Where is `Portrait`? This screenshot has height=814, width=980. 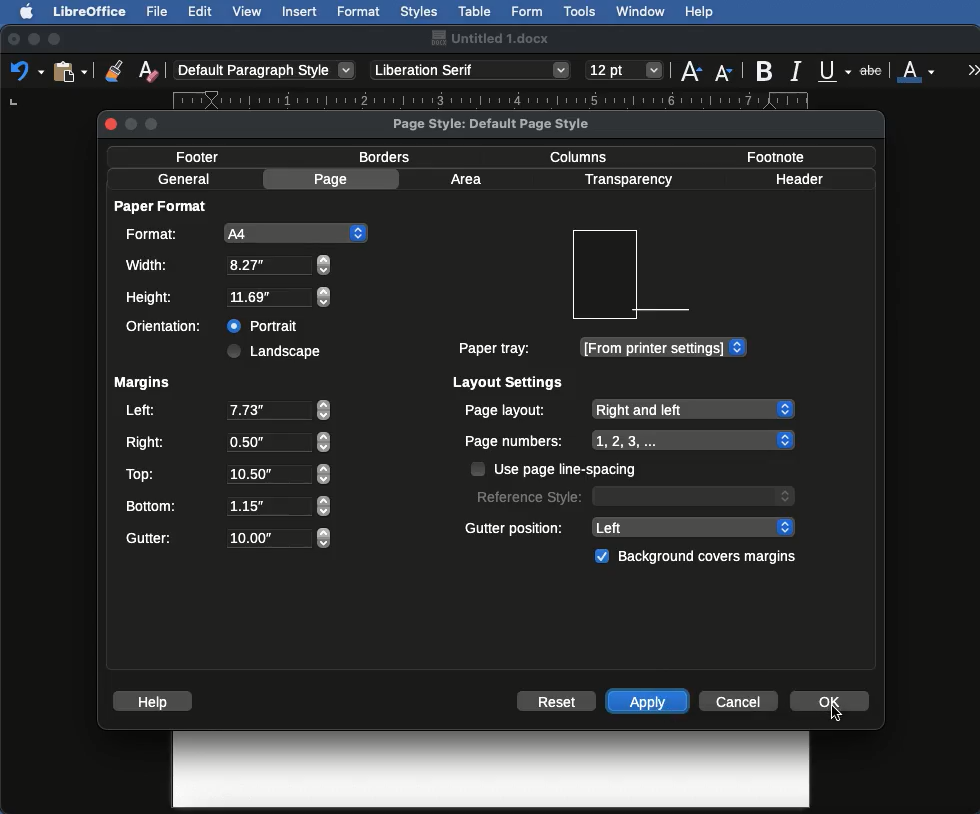
Portrait is located at coordinates (265, 323).